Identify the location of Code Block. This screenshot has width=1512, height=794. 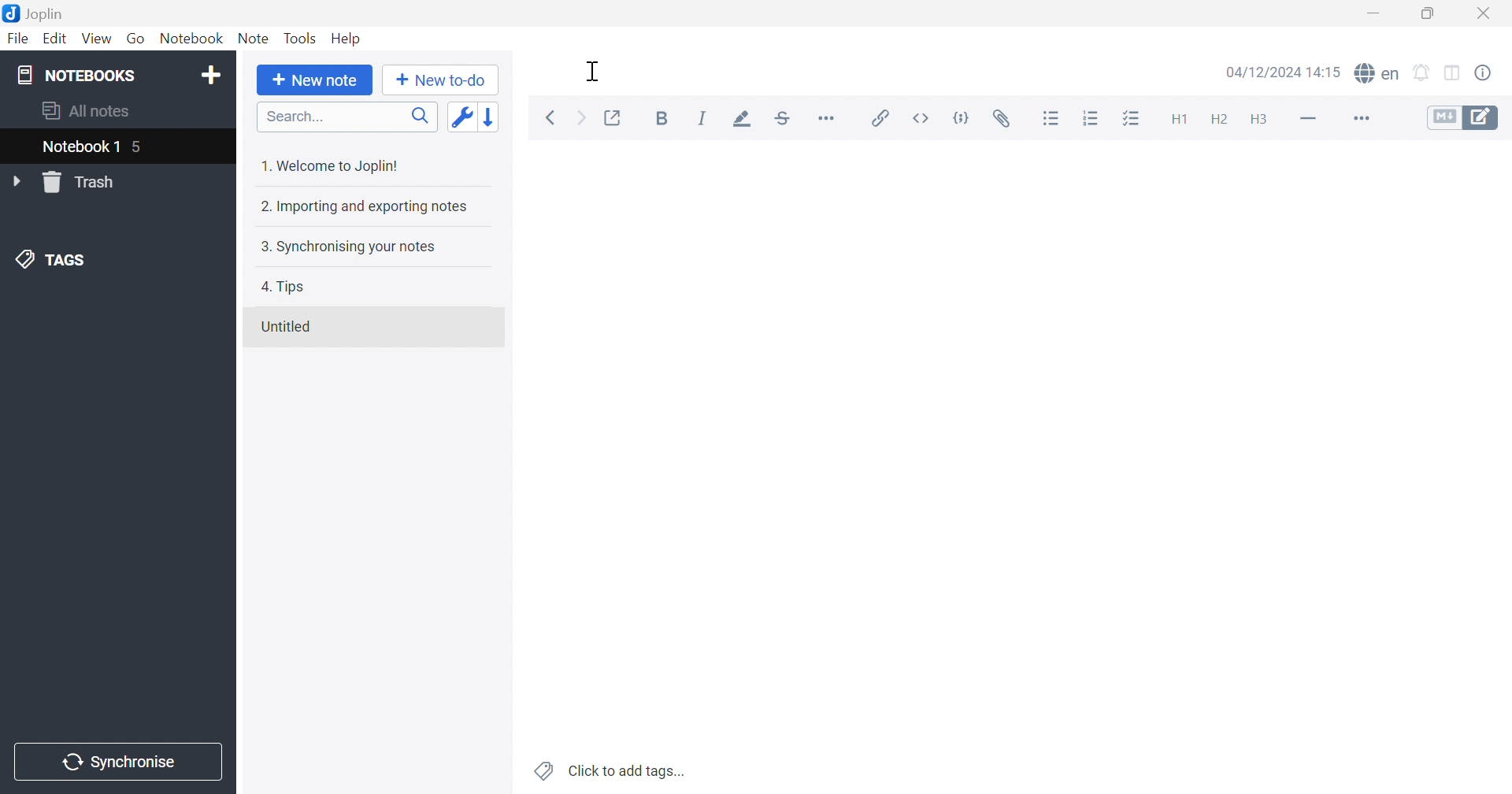
(965, 121).